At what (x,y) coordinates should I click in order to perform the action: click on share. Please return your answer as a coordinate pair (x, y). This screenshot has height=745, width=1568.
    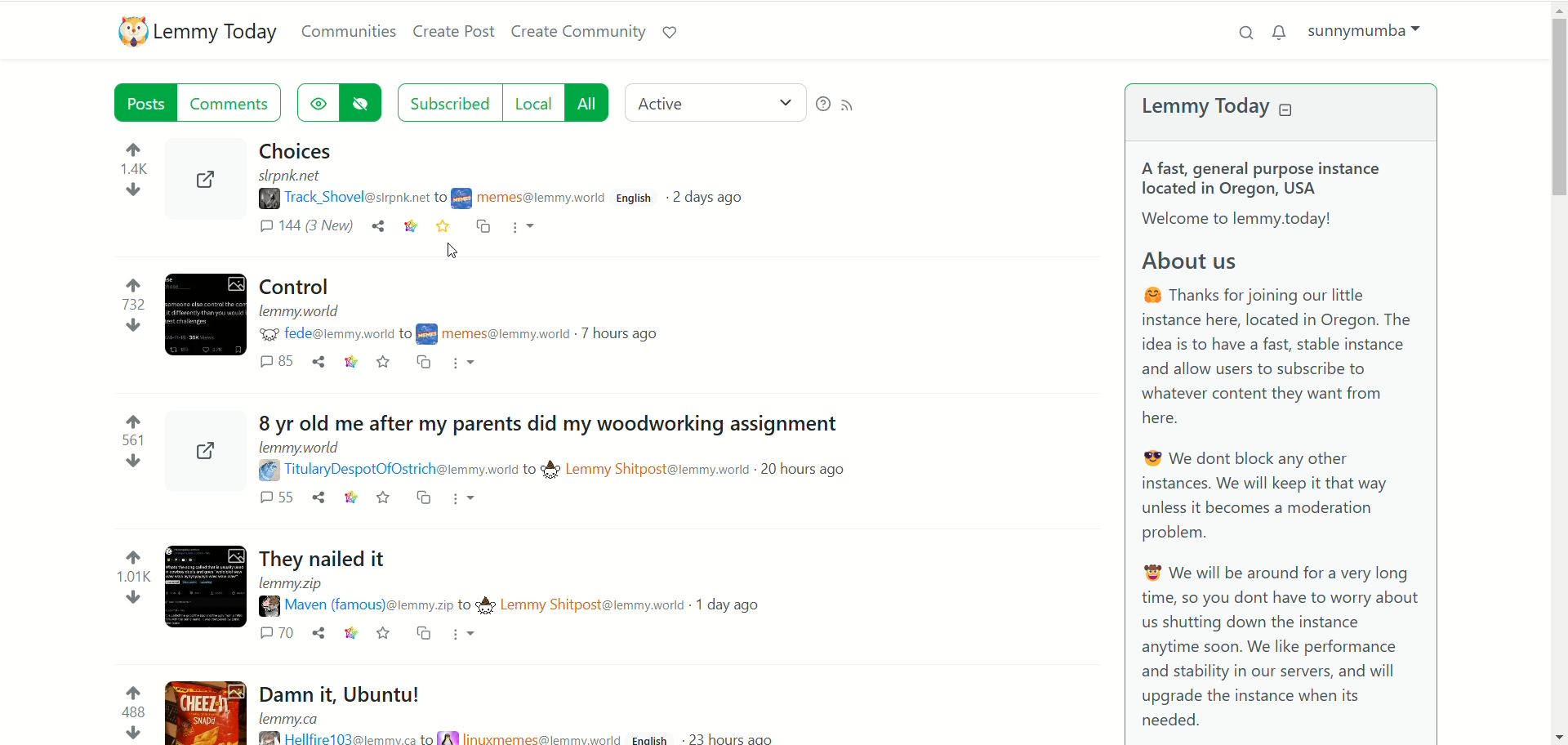
    Looking at the image, I should click on (380, 226).